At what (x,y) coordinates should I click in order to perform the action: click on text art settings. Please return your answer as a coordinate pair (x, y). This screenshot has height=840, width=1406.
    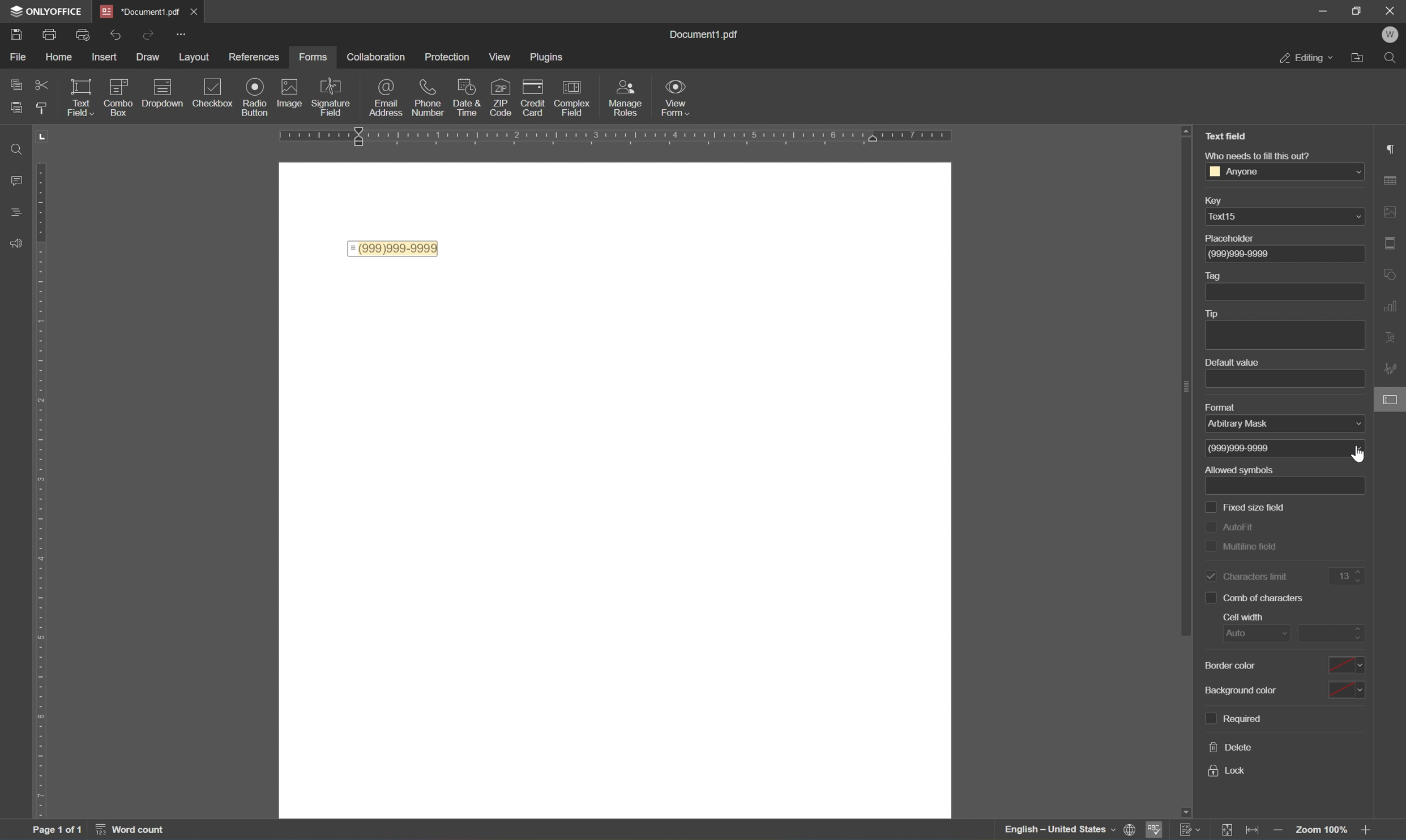
    Looking at the image, I should click on (1395, 336).